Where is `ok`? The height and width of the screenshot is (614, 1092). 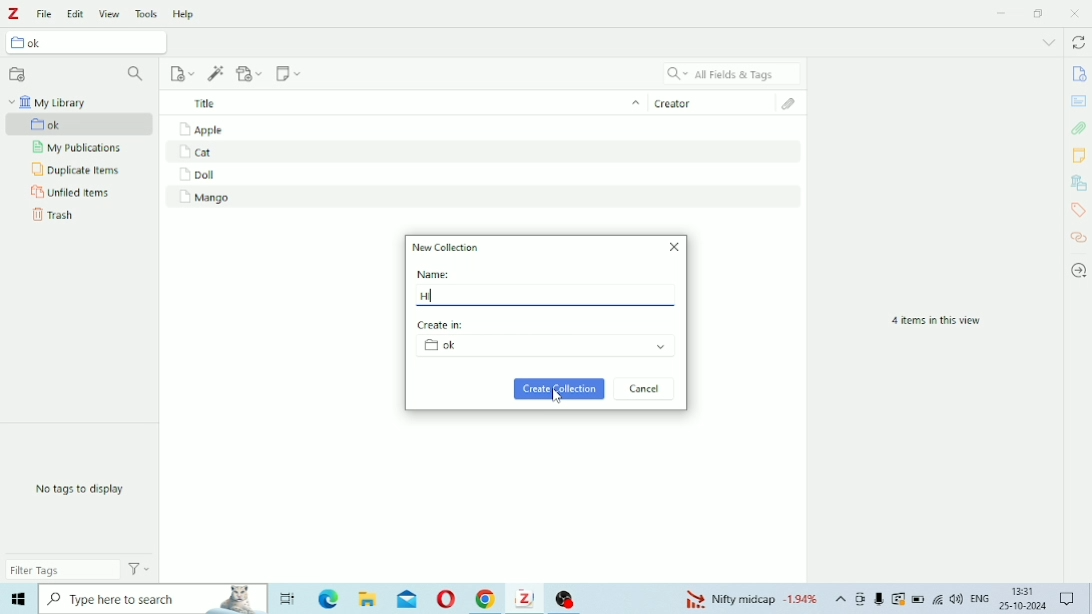 ok is located at coordinates (80, 124).